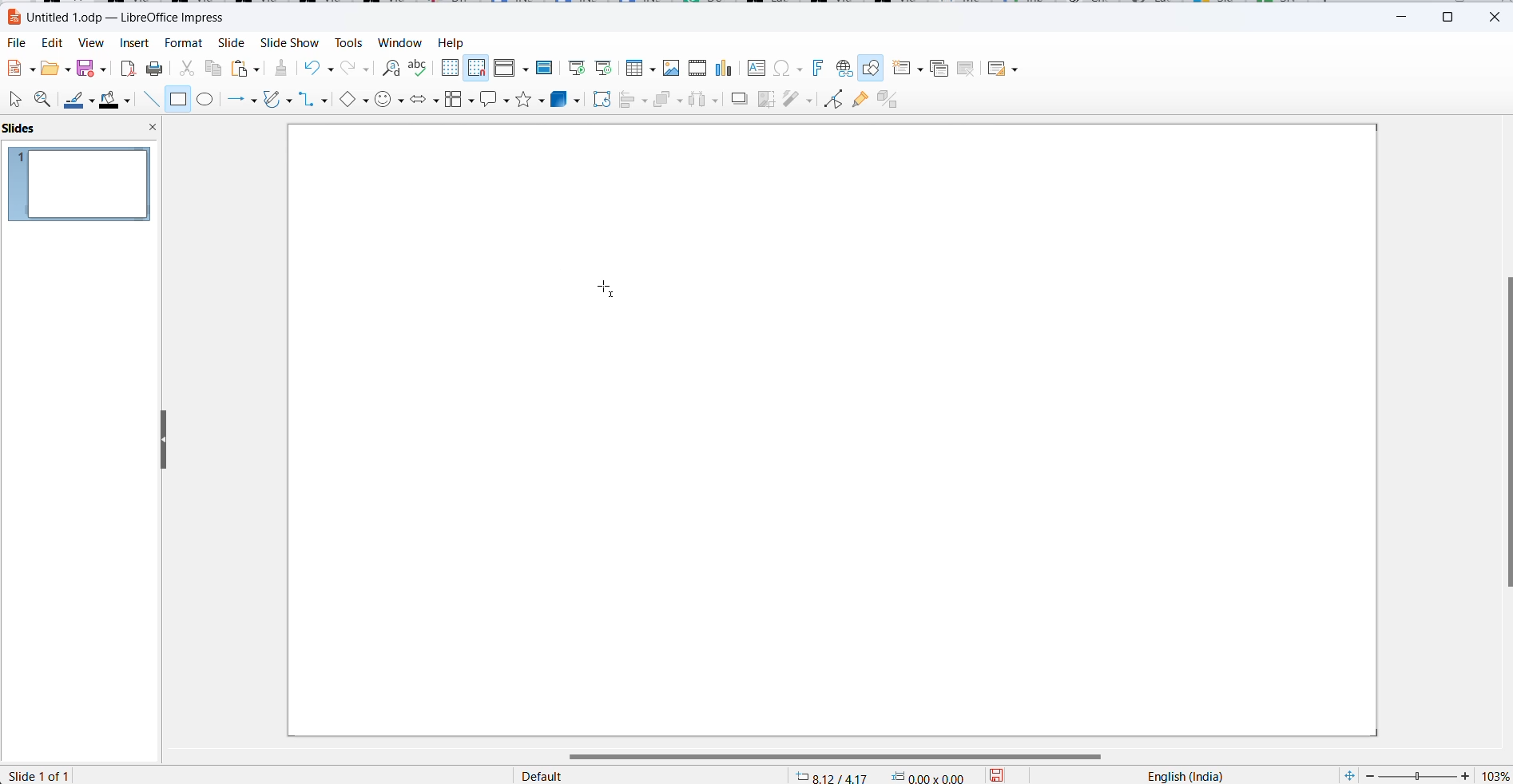 The image size is (1513, 784). I want to click on minimize, so click(1406, 14).